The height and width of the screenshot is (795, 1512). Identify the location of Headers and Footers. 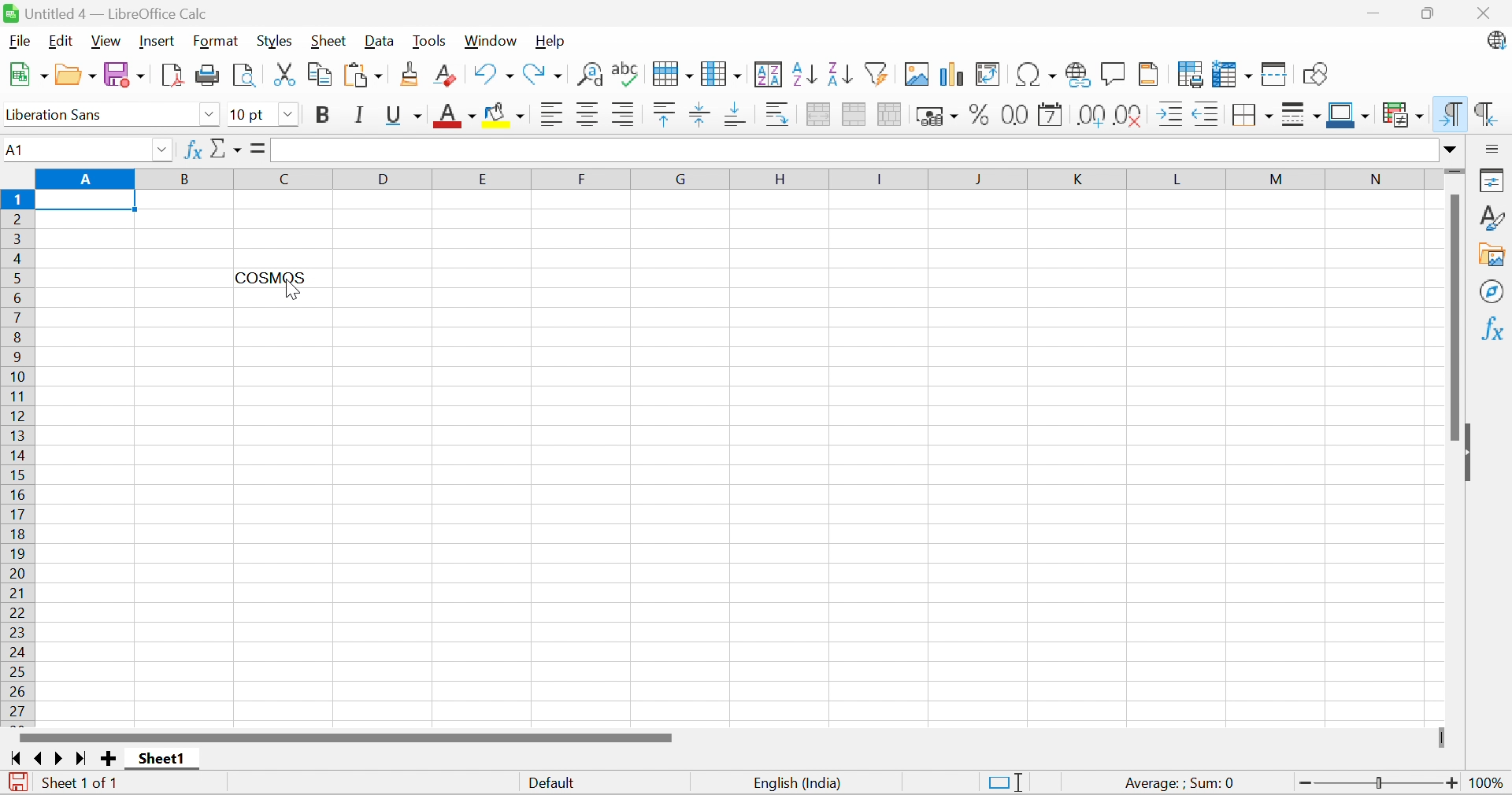
(1152, 72).